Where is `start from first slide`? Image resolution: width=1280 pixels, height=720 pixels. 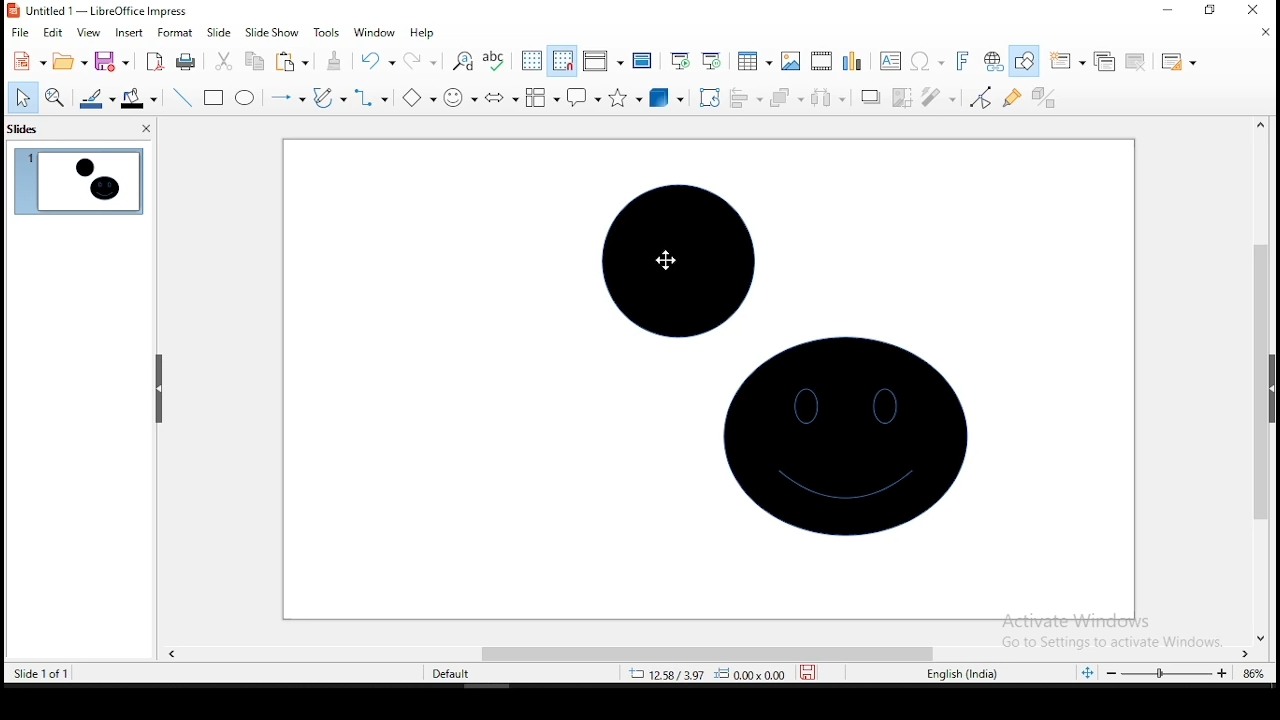 start from first slide is located at coordinates (680, 61).